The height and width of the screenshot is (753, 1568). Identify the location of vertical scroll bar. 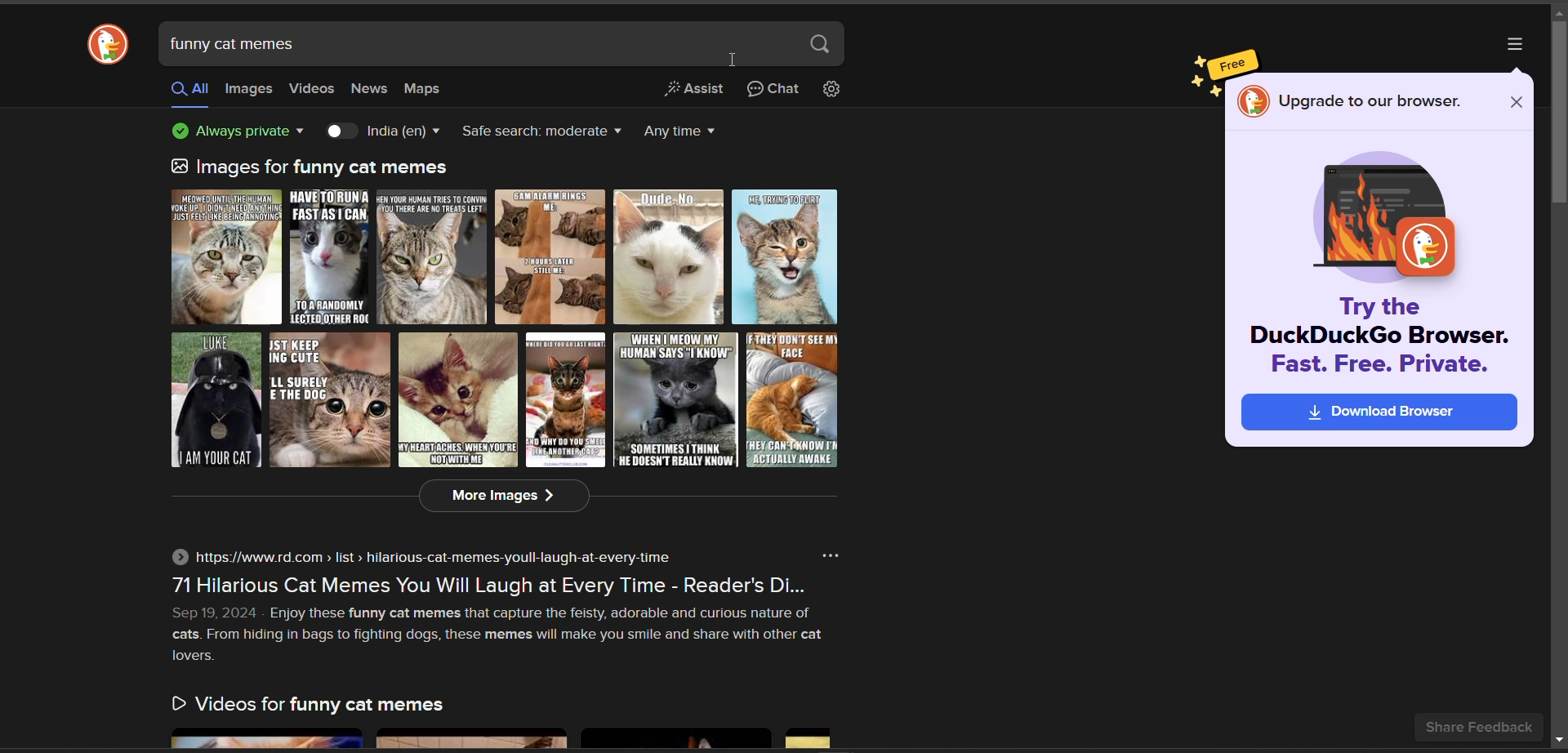
(1558, 116).